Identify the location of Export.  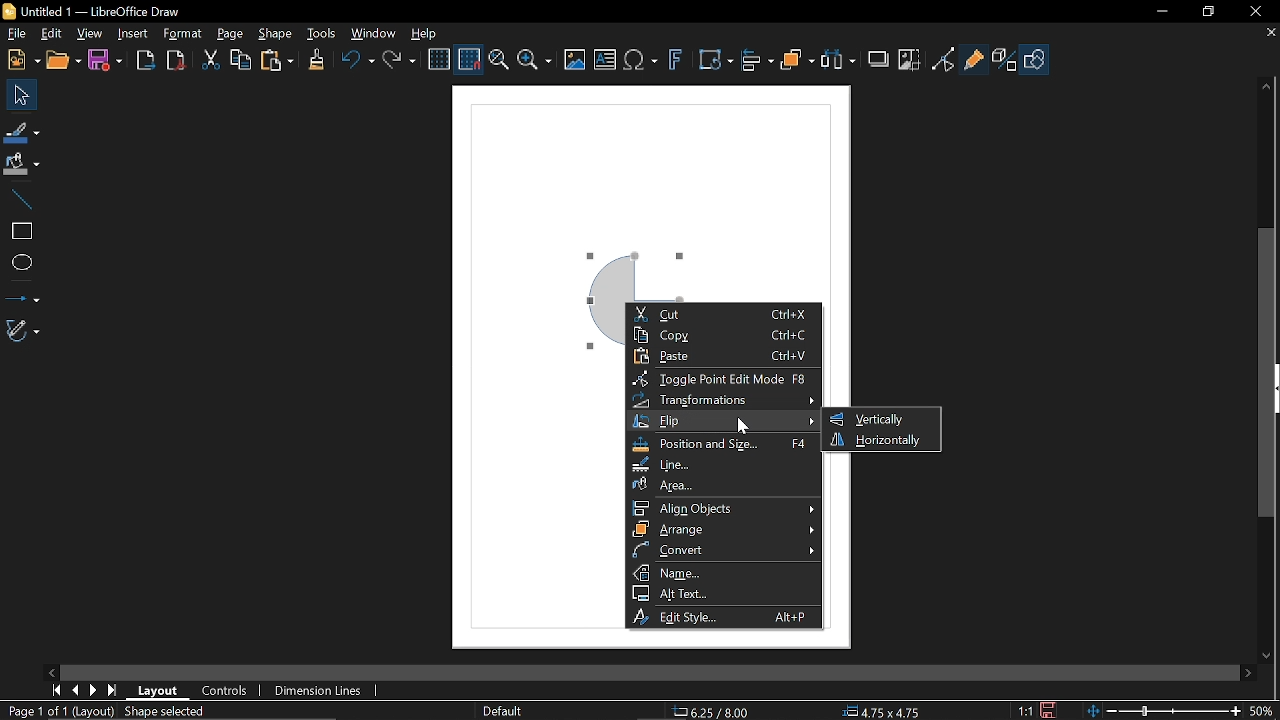
(146, 60).